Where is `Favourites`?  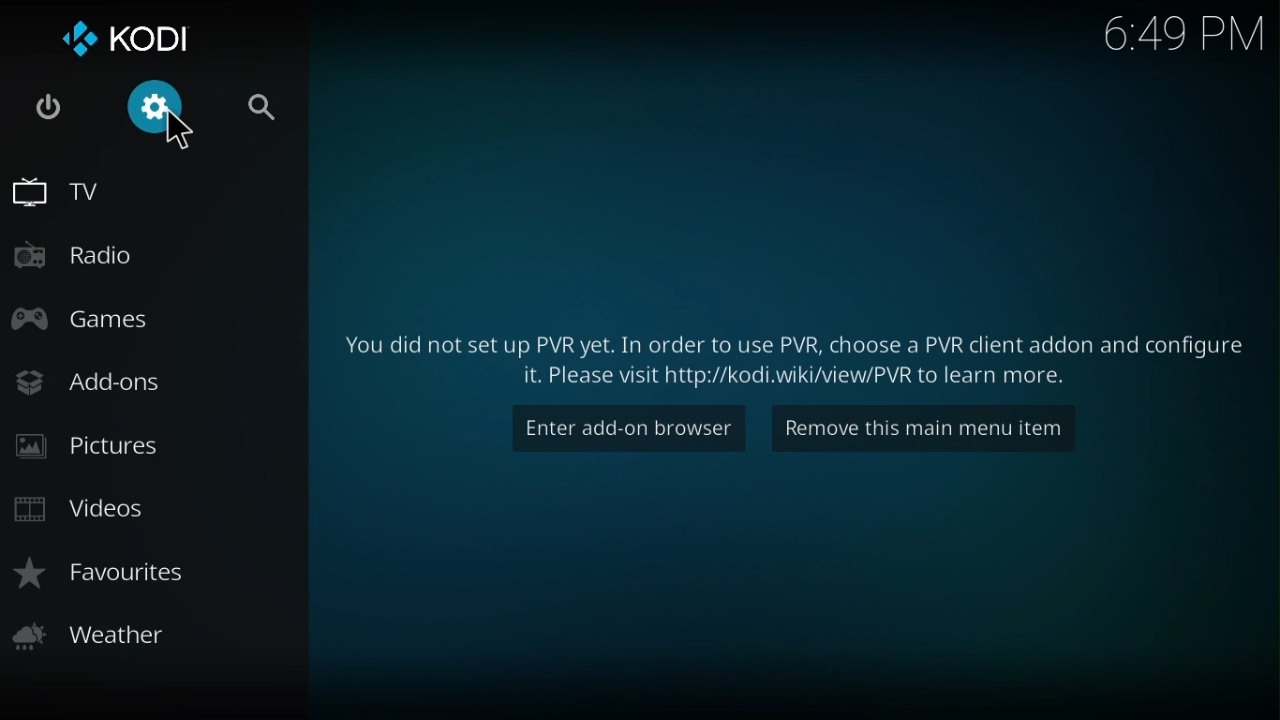 Favourites is located at coordinates (107, 568).